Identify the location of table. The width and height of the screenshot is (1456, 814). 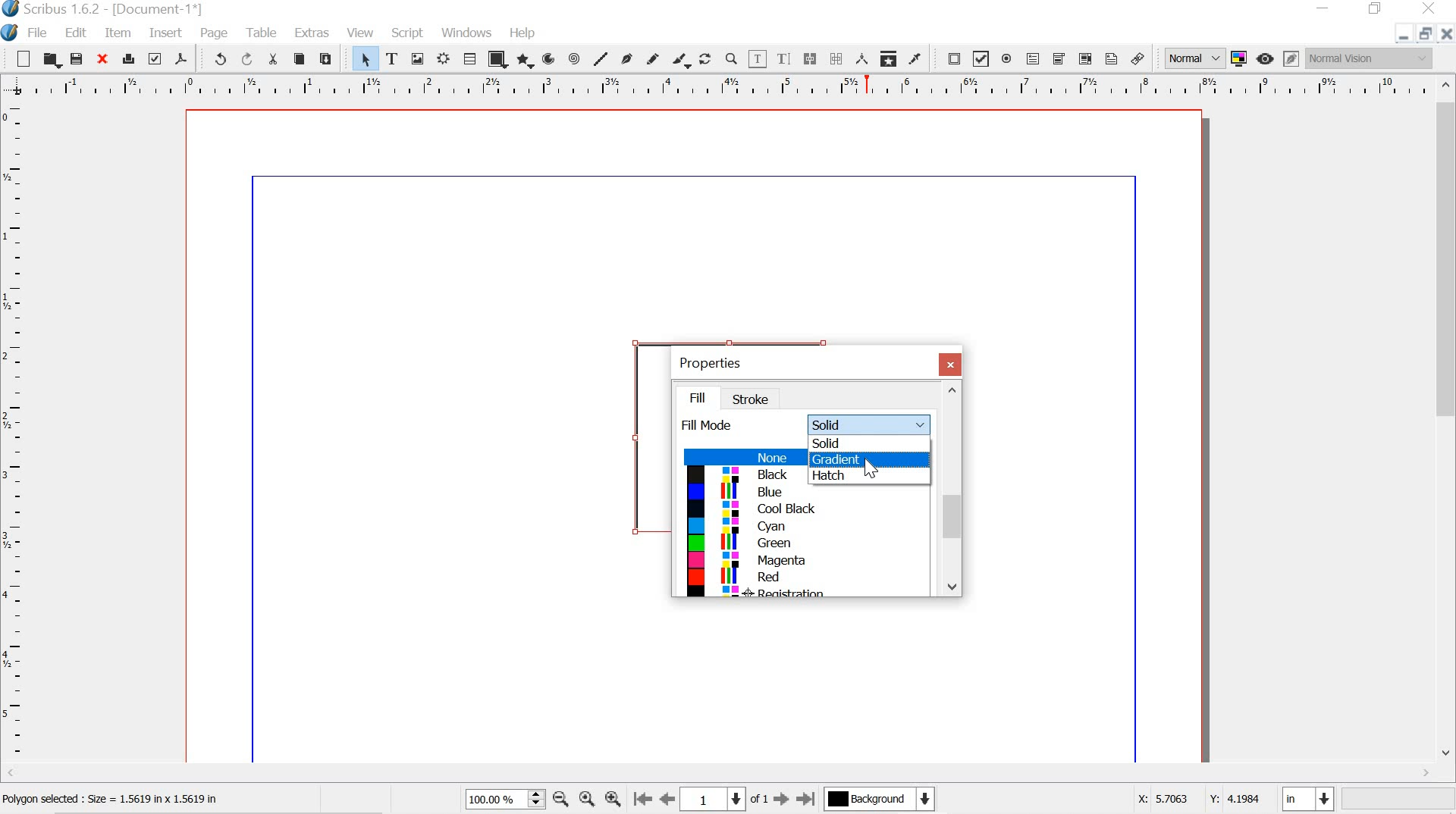
(469, 58).